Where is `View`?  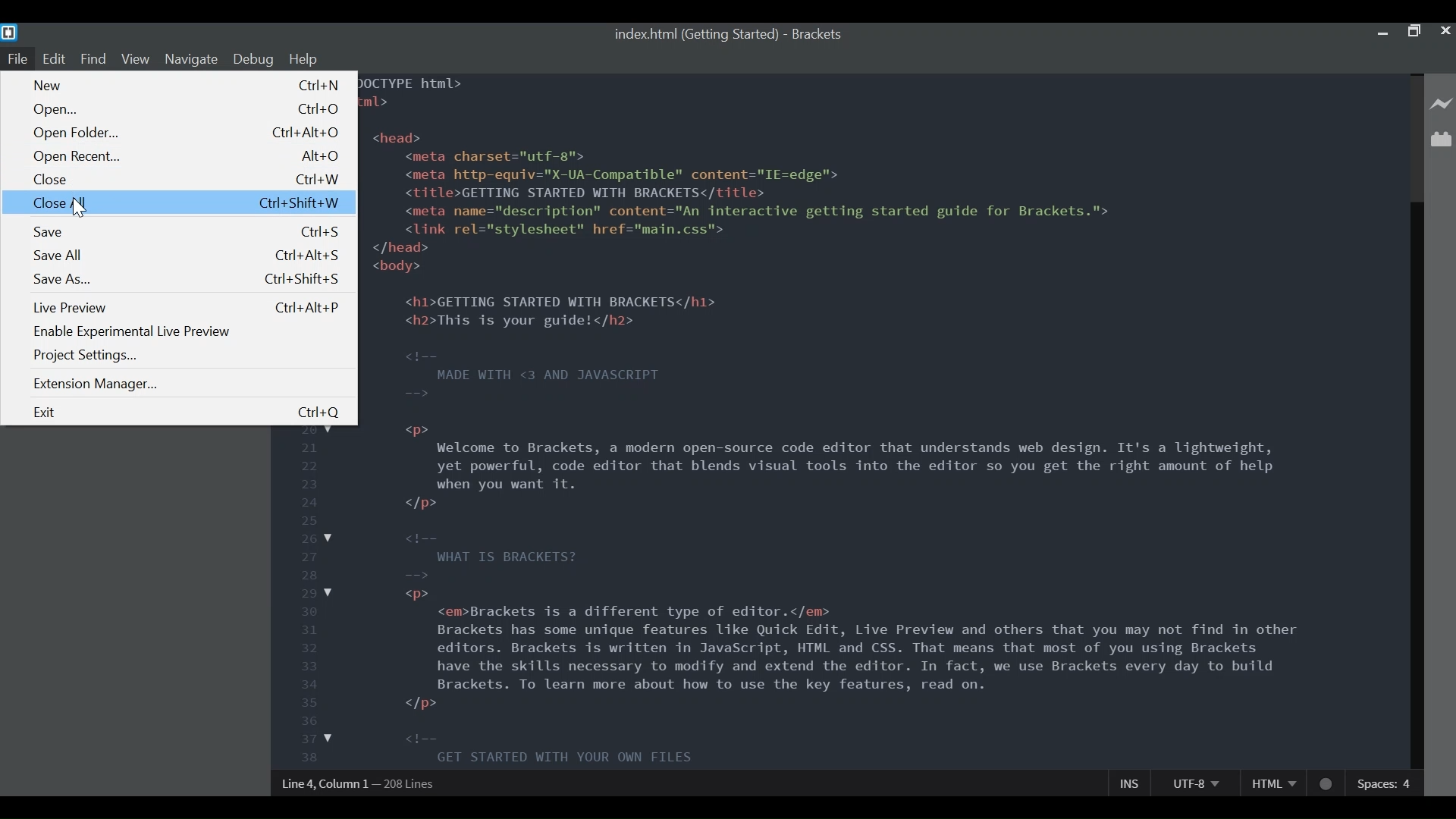 View is located at coordinates (136, 59).